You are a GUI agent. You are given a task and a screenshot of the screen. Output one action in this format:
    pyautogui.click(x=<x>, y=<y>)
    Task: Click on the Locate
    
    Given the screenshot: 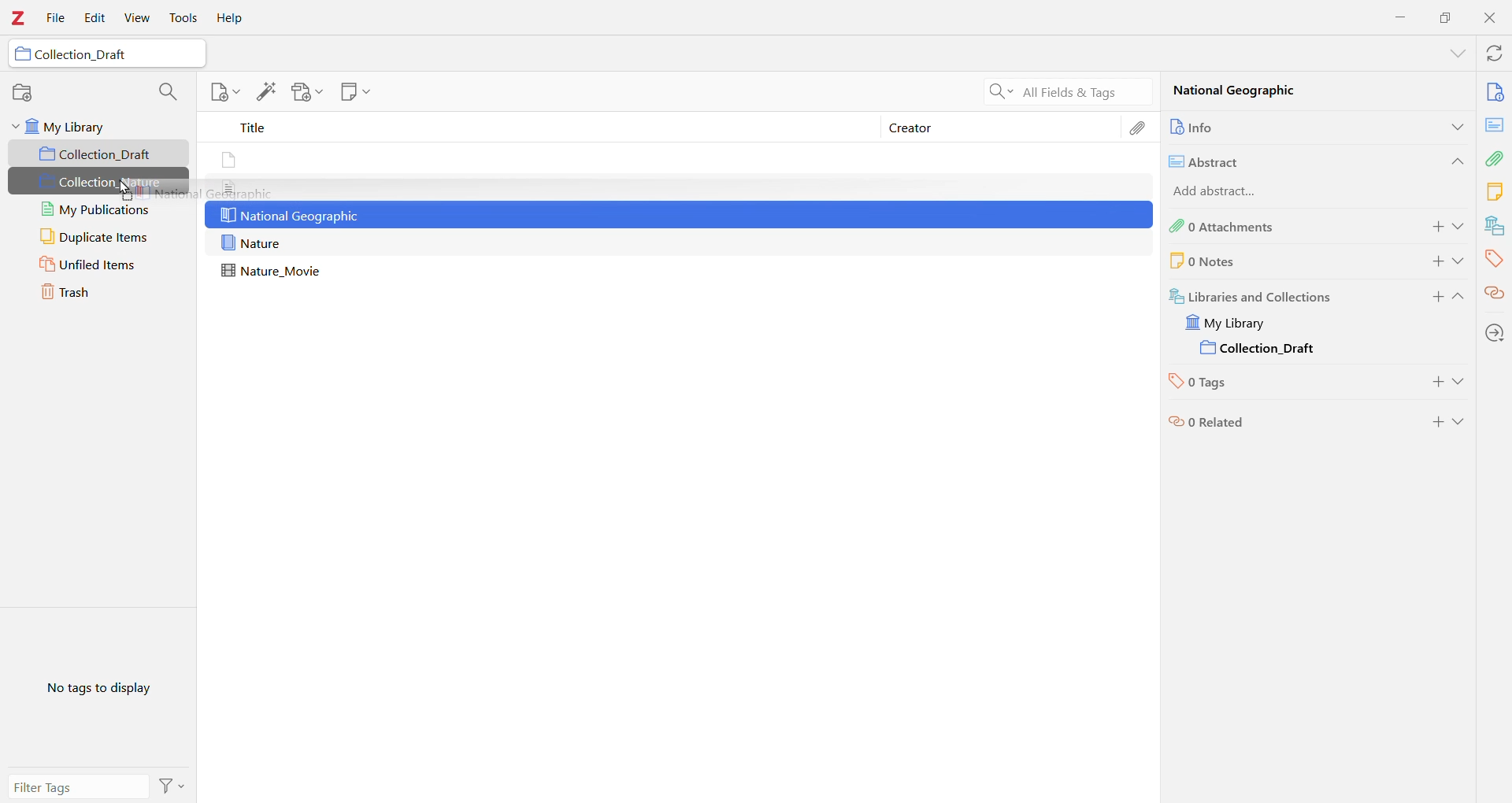 What is the action you would take?
    pyautogui.click(x=1495, y=332)
    